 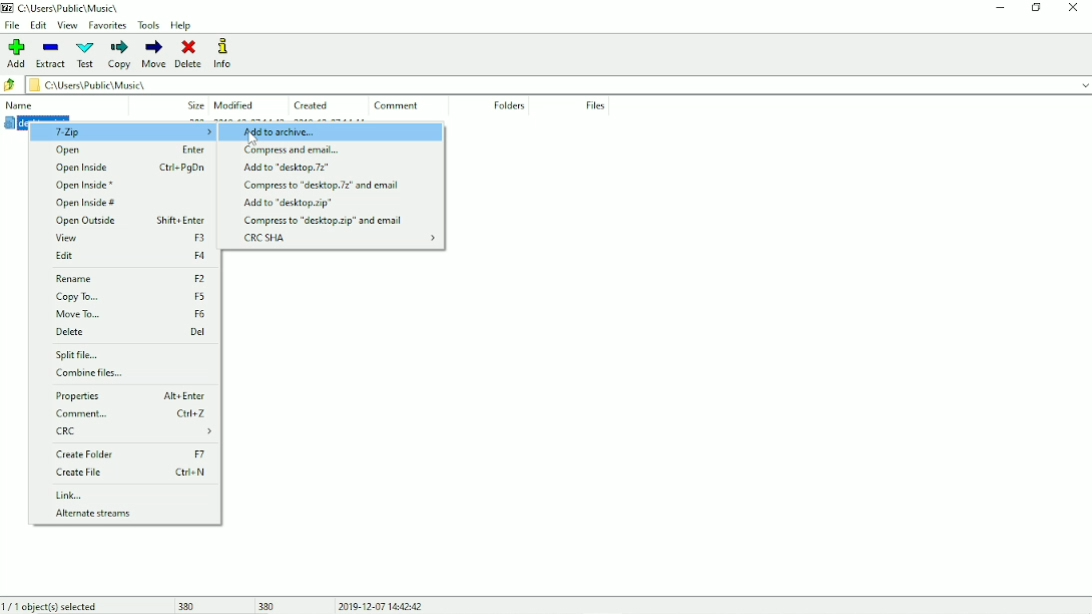 What do you see at coordinates (130, 332) in the screenshot?
I see `Delete` at bounding box center [130, 332].